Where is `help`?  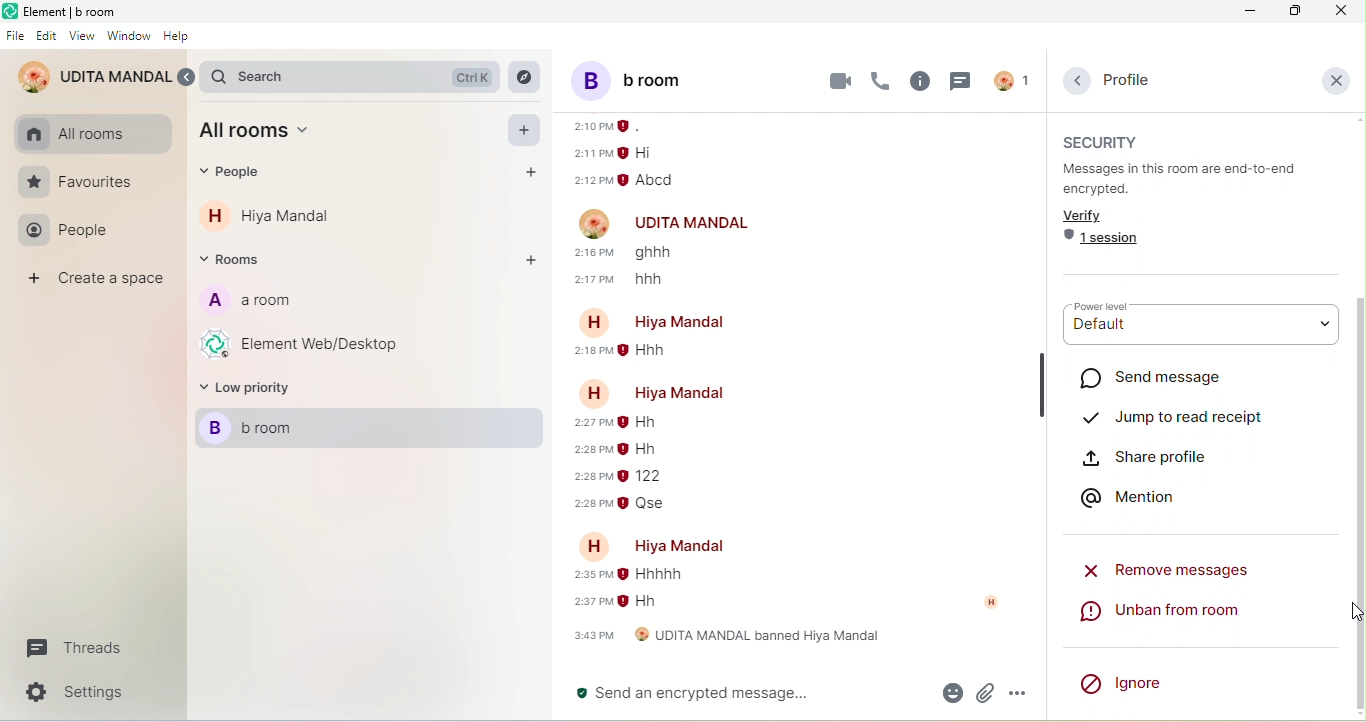
help is located at coordinates (175, 37).